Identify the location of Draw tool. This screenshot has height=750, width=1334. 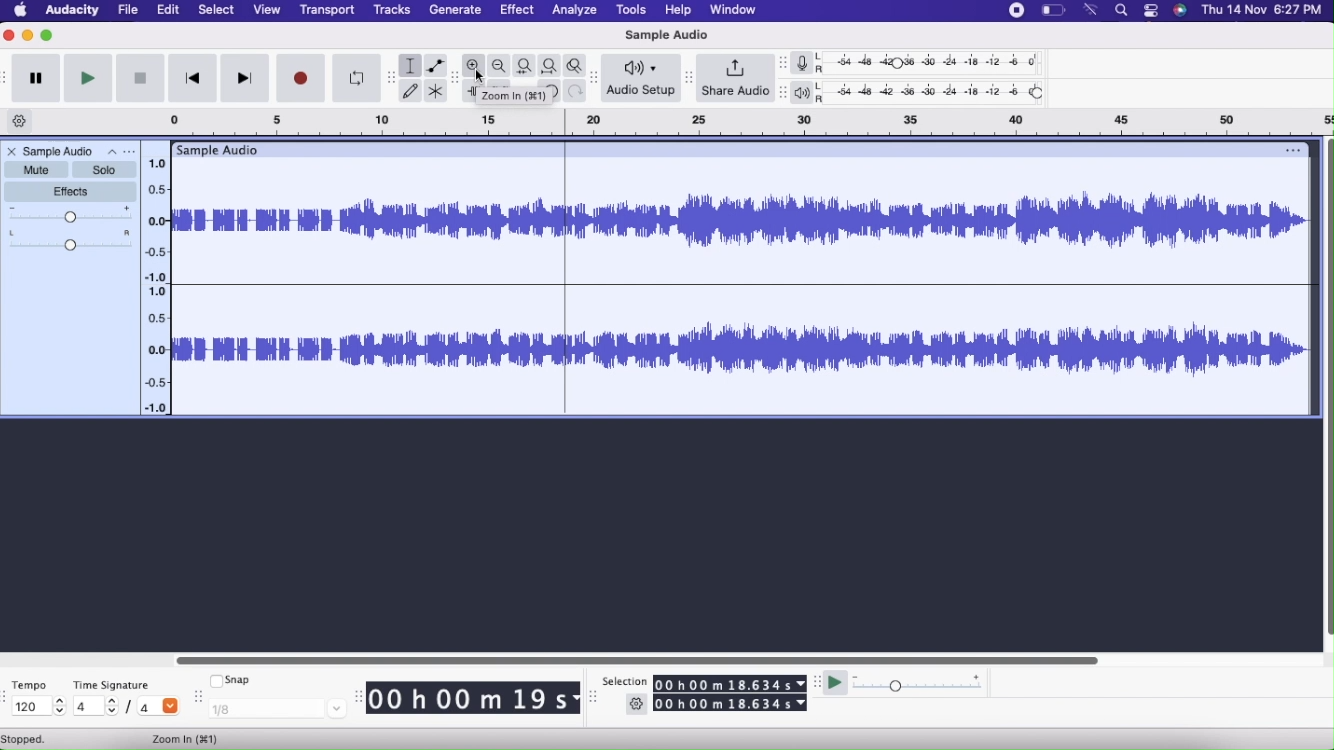
(411, 90).